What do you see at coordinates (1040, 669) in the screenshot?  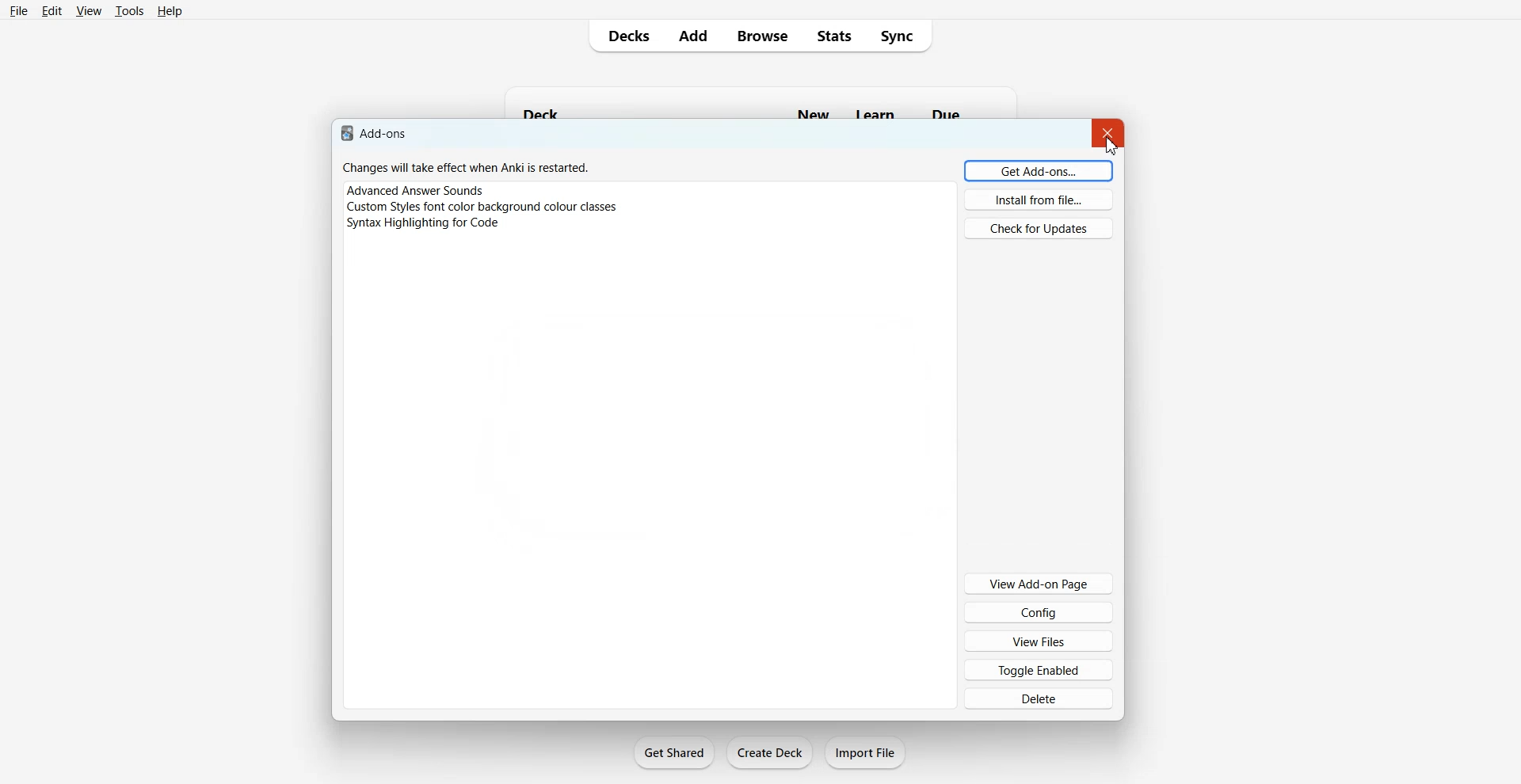 I see `Toggle Enabled` at bounding box center [1040, 669].